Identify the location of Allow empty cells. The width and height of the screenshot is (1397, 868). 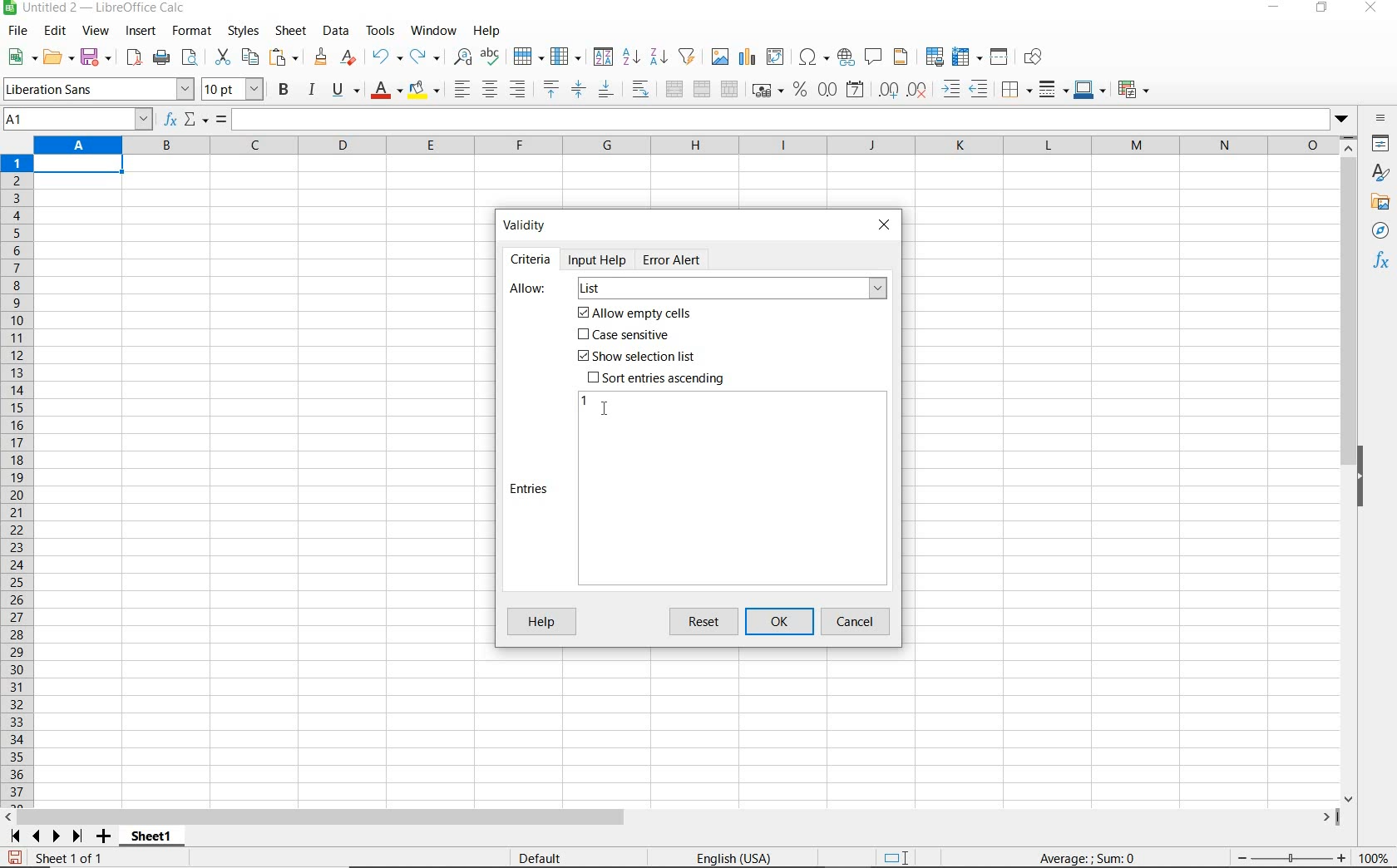
(636, 313).